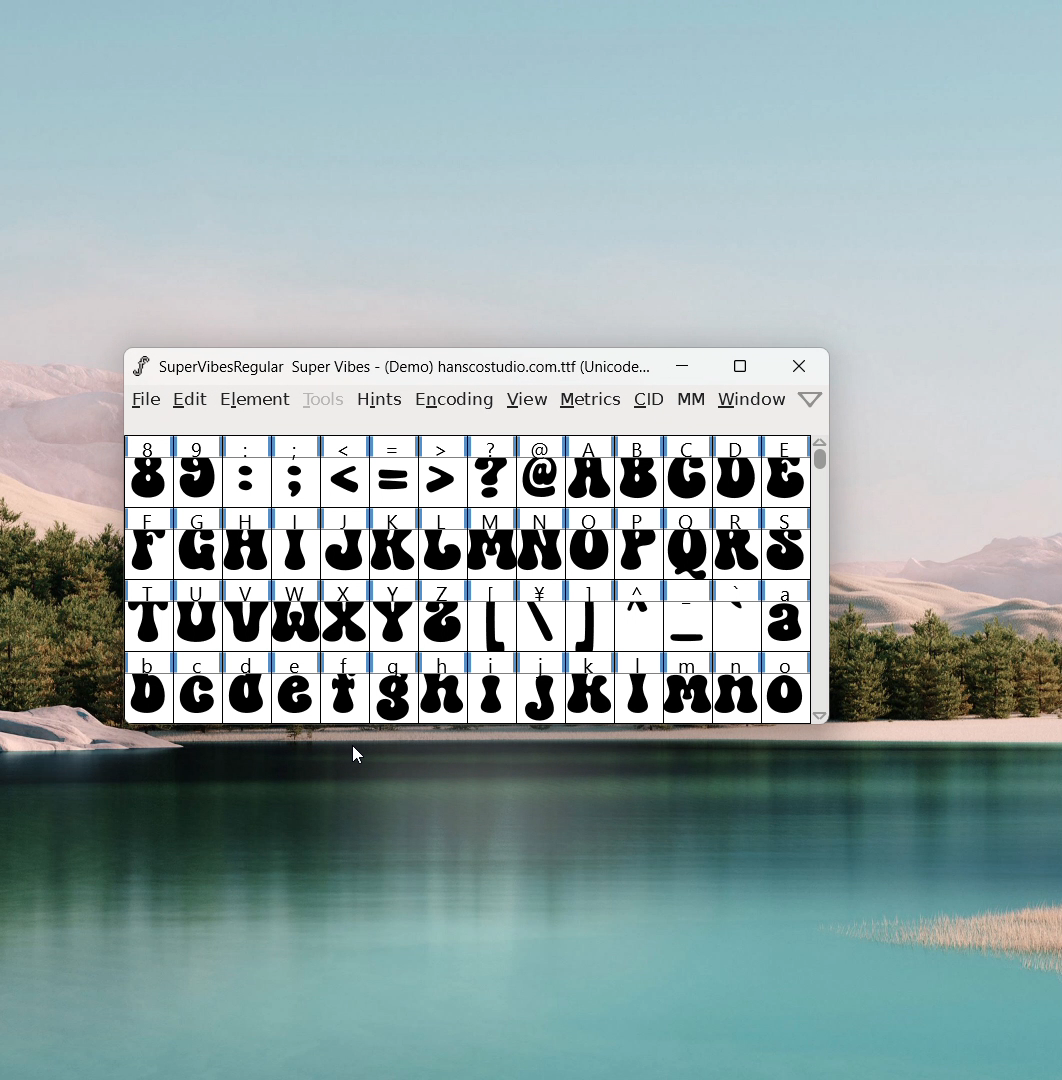 This screenshot has width=1062, height=1080. Describe the element at coordinates (248, 471) in the screenshot. I see `:` at that location.